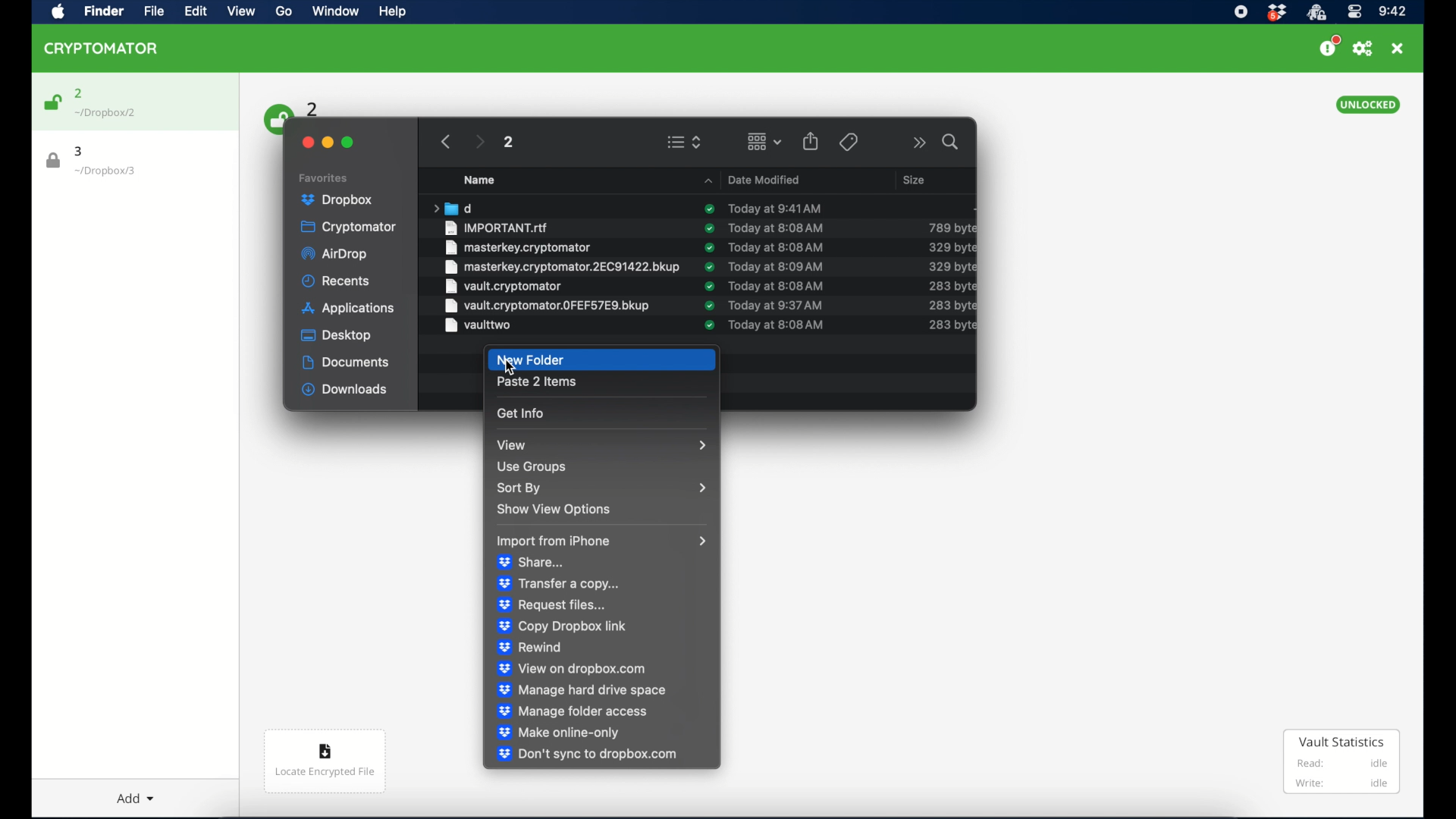 Image resolution: width=1456 pixels, height=819 pixels. What do you see at coordinates (952, 325) in the screenshot?
I see `size` at bounding box center [952, 325].